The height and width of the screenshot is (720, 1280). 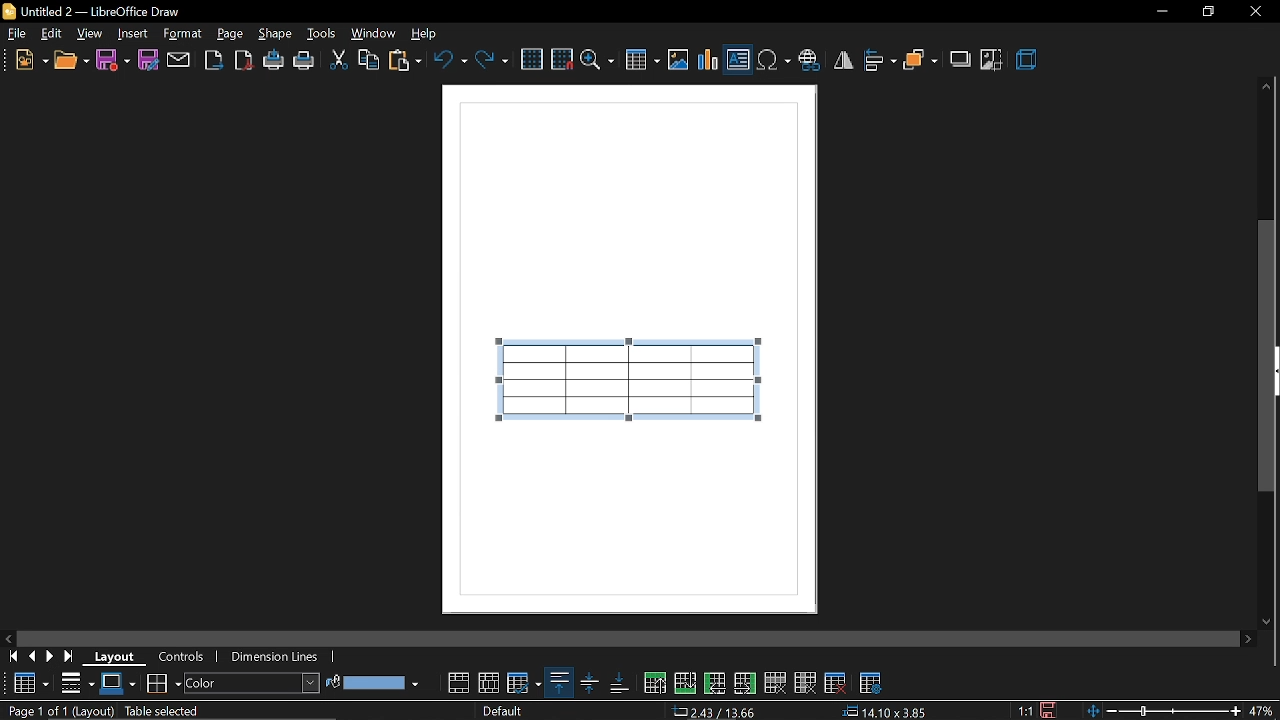 What do you see at coordinates (677, 58) in the screenshot?
I see `insert image` at bounding box center [677, 58].